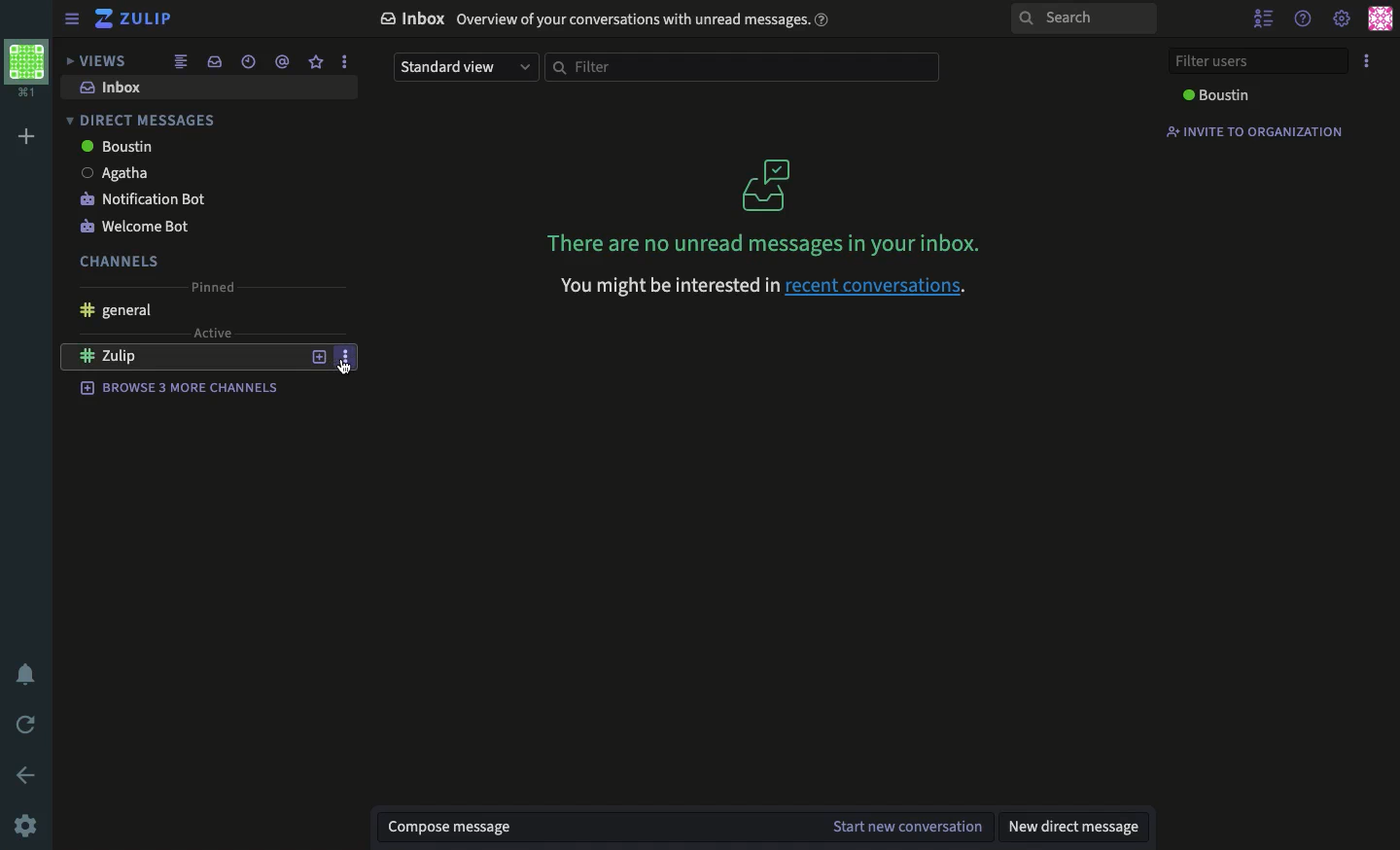 This screenshot has width=1400, height=850. I want to click on start new conversation, so click(907, 827).